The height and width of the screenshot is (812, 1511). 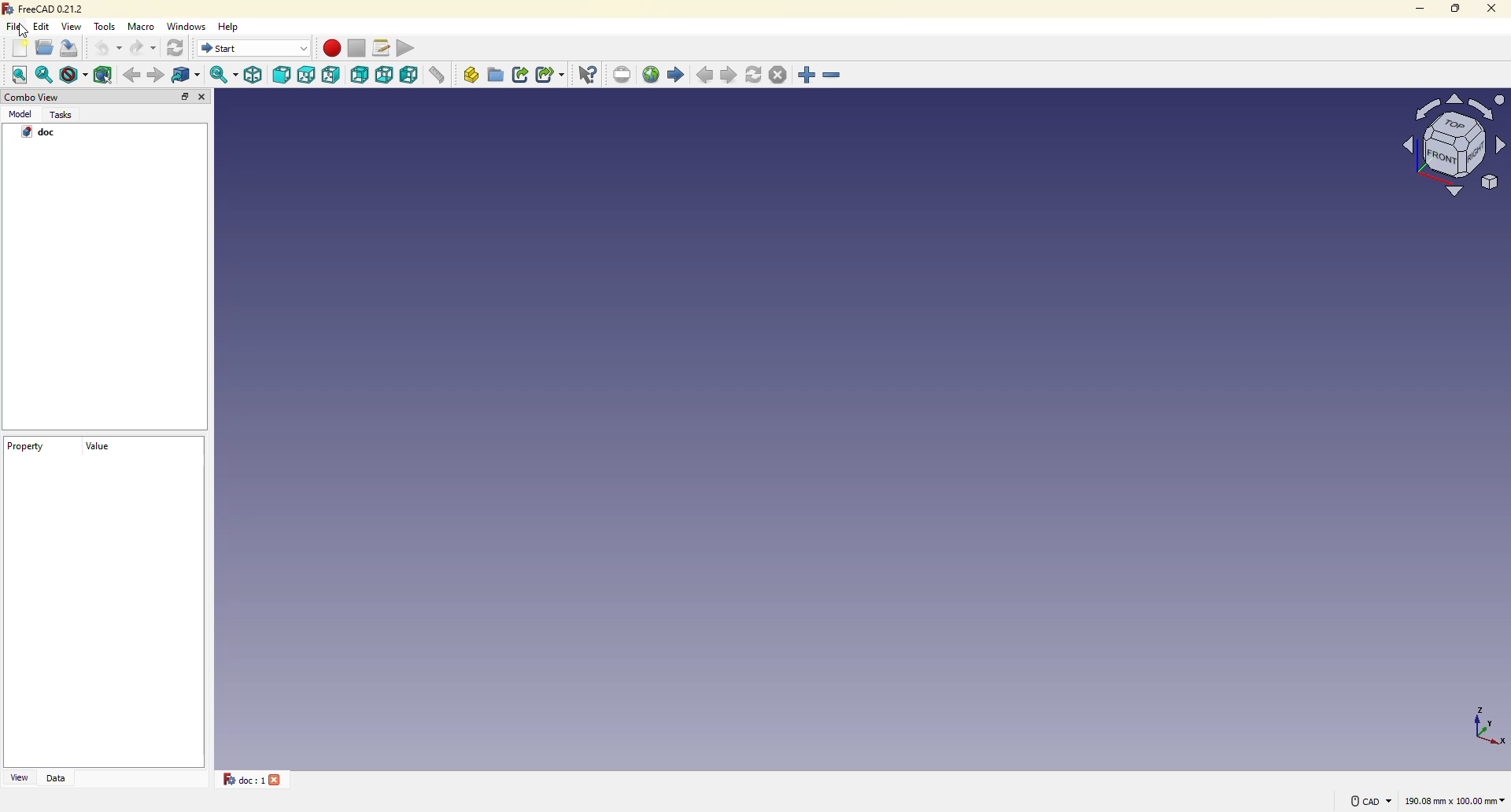 What do you see at coordinates (1450, 143) in the screenshot?
I see `model view` at bounding box center [1450, 143].